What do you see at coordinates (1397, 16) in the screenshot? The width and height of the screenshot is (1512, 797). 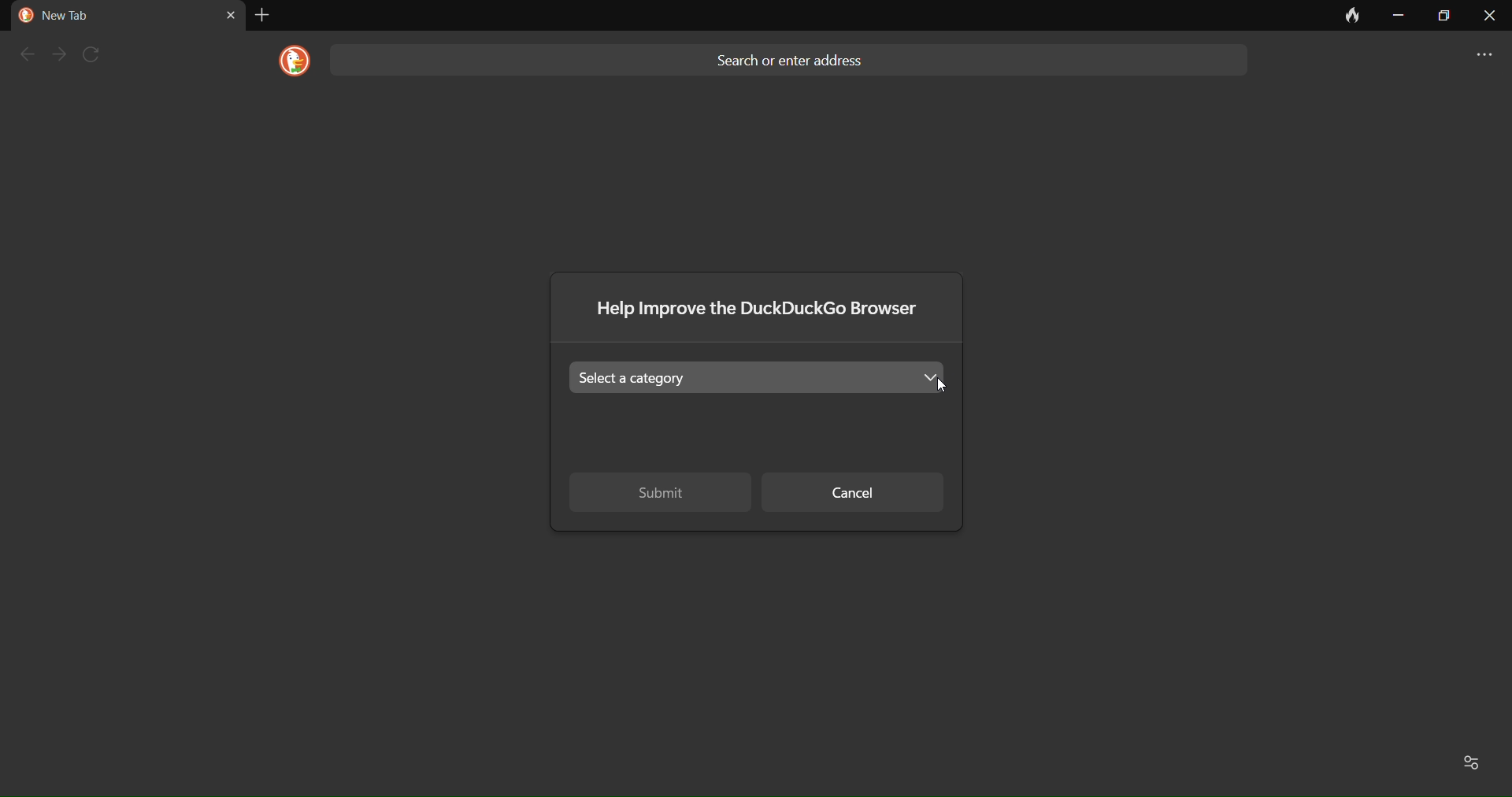 I see `minimize` at bounding box center [1397, 16].